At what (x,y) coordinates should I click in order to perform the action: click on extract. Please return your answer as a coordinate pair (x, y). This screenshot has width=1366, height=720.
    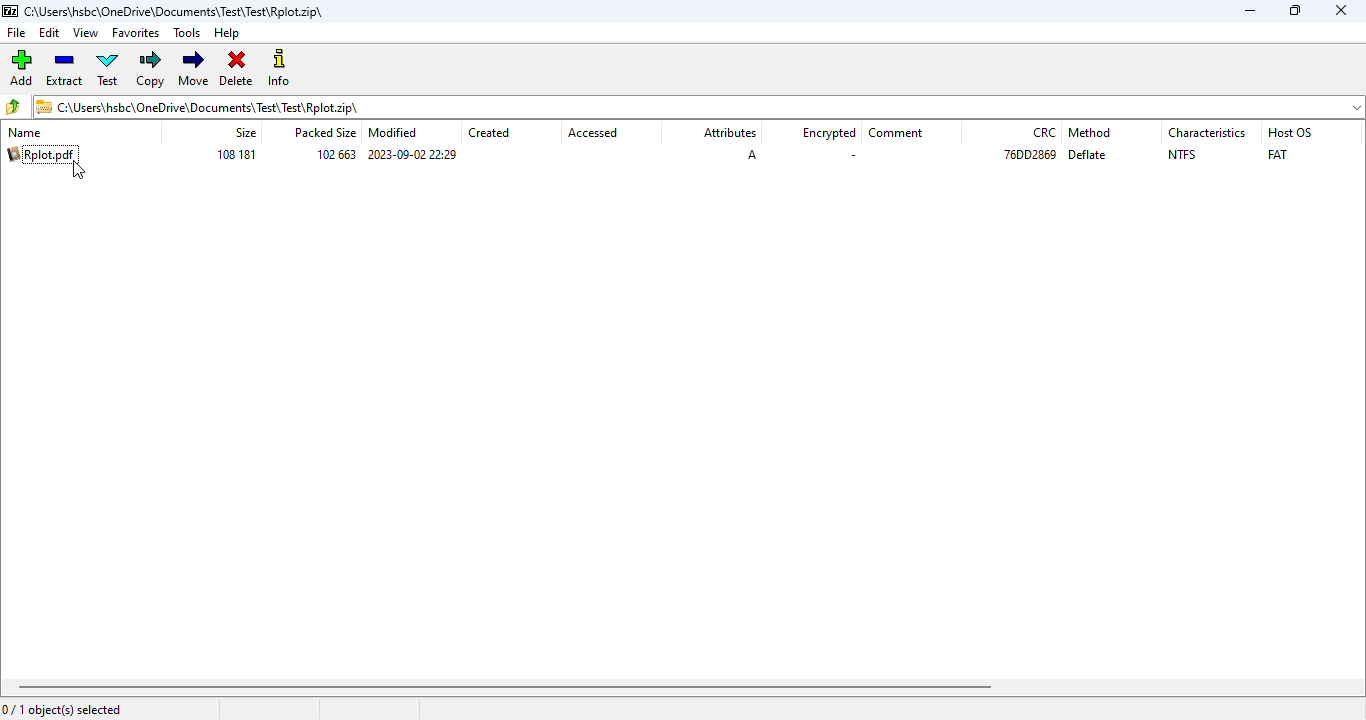
    Looking at the image, I should click on (65, 69).